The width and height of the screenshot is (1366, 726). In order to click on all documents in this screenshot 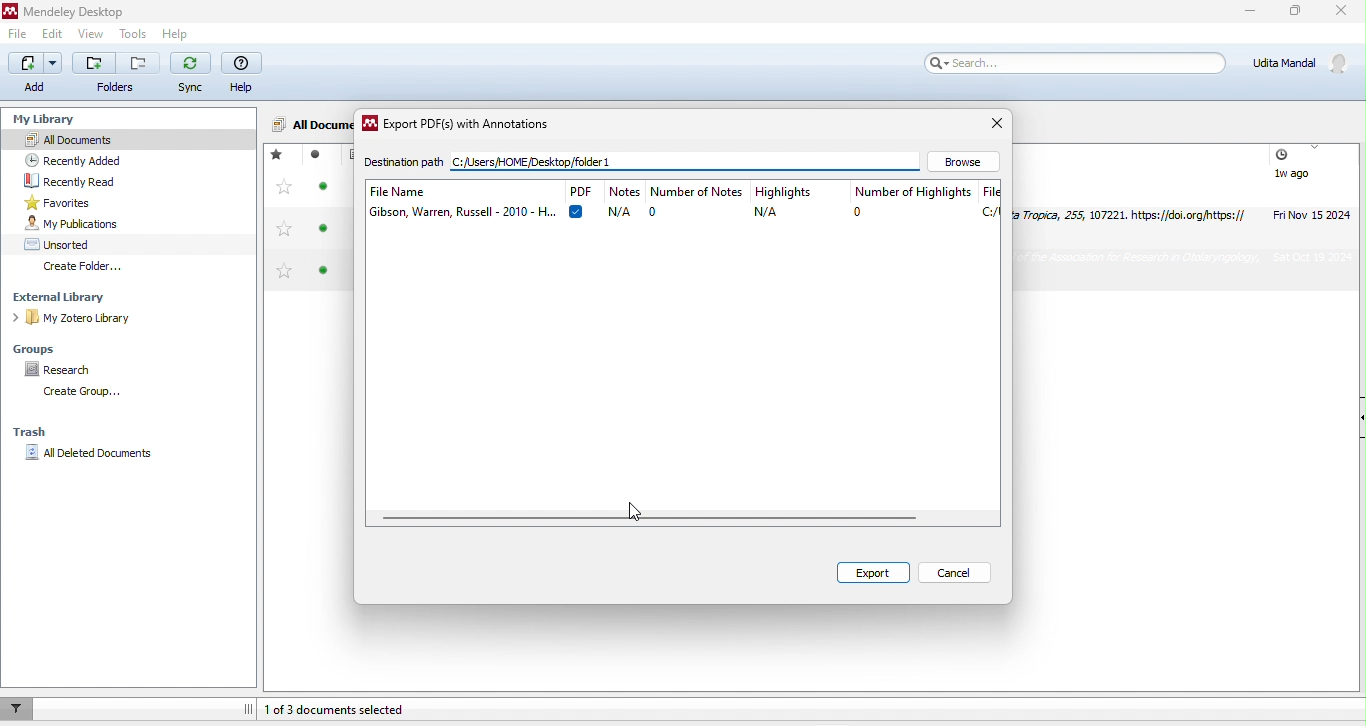, I will do `click(130, 140)`.